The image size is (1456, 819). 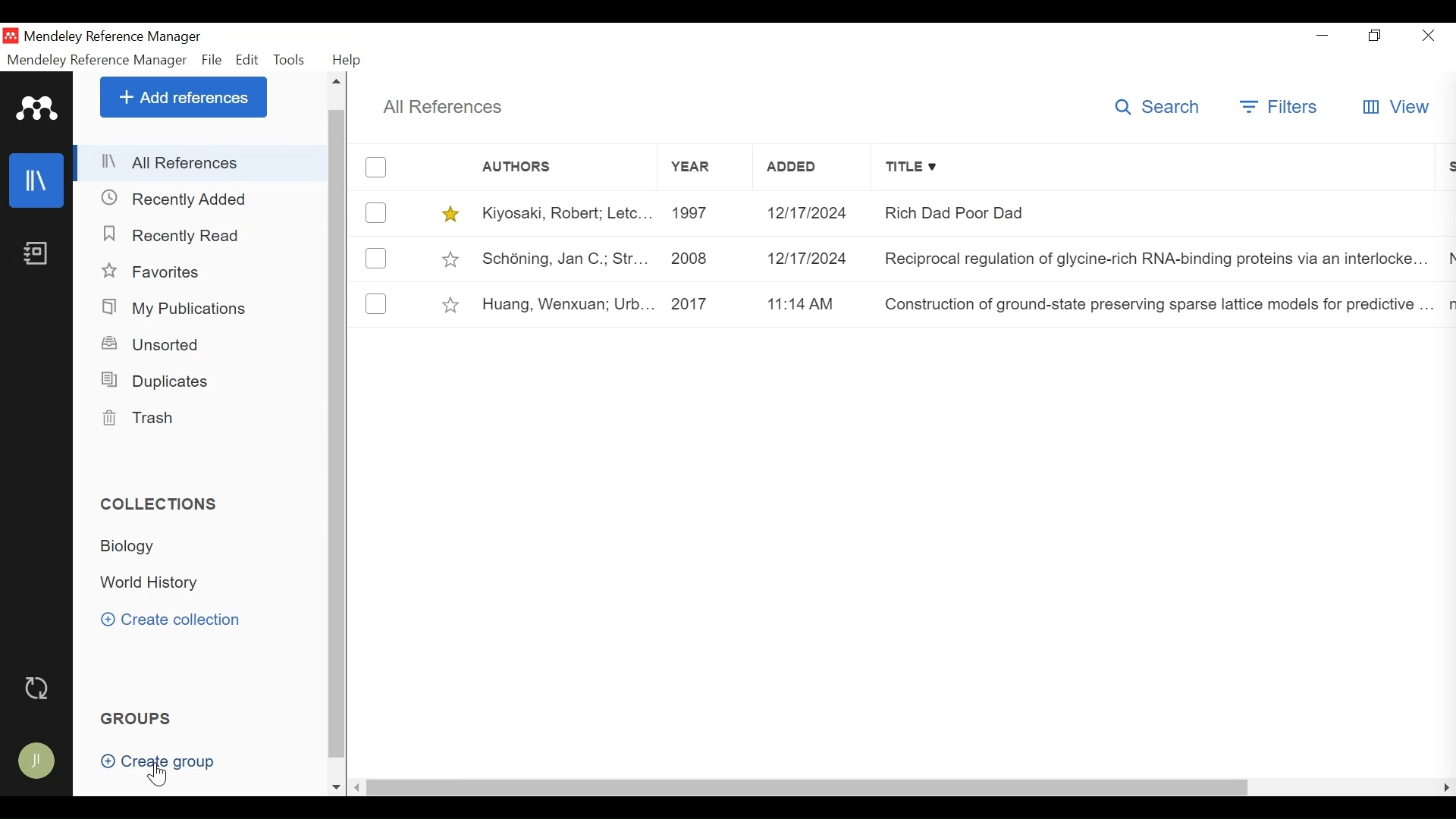 What do you see at coordinates (447, 106) in the screenshot?
I see `All References` at bounding box center [447, 106].